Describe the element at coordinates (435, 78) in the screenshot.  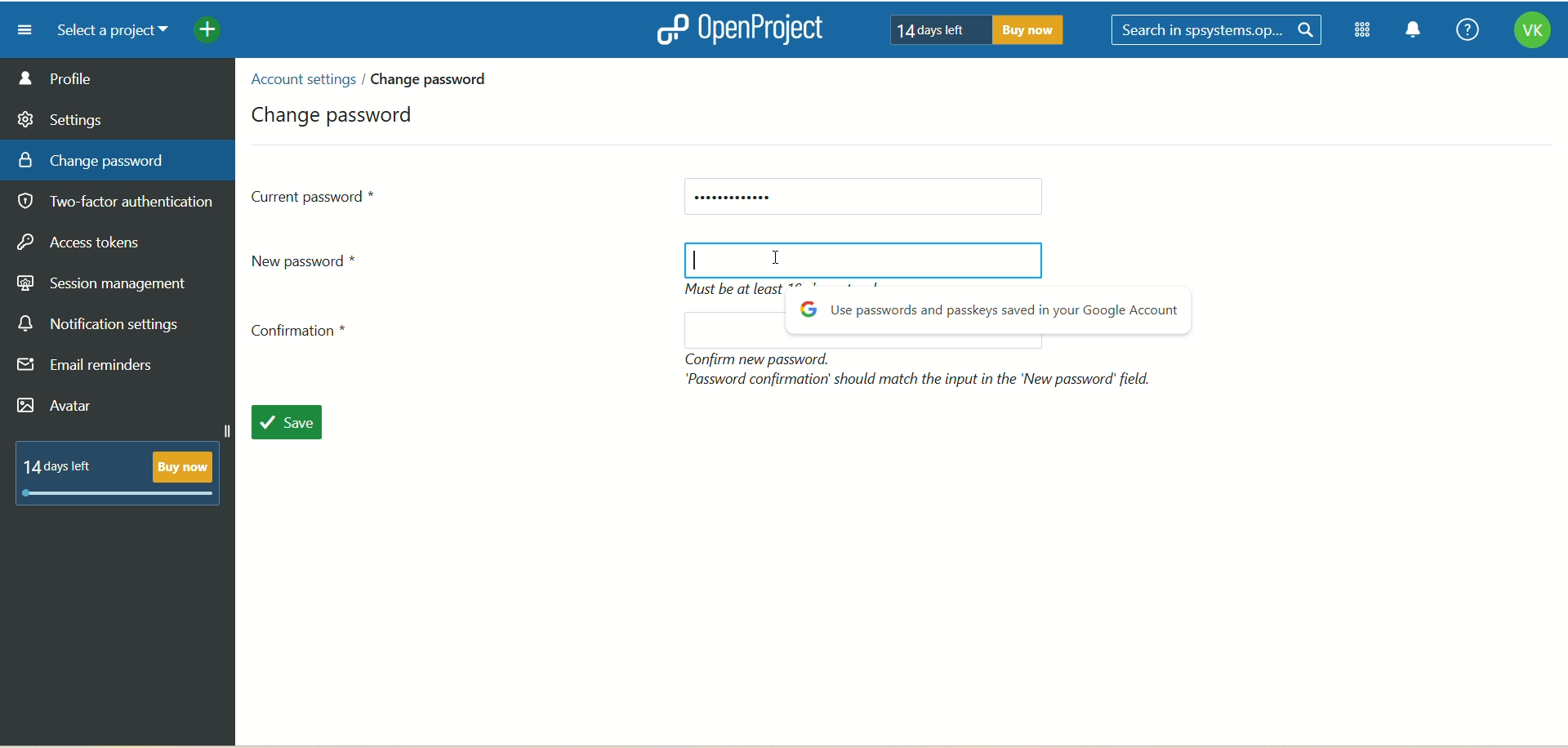
I see `change password` at that location.